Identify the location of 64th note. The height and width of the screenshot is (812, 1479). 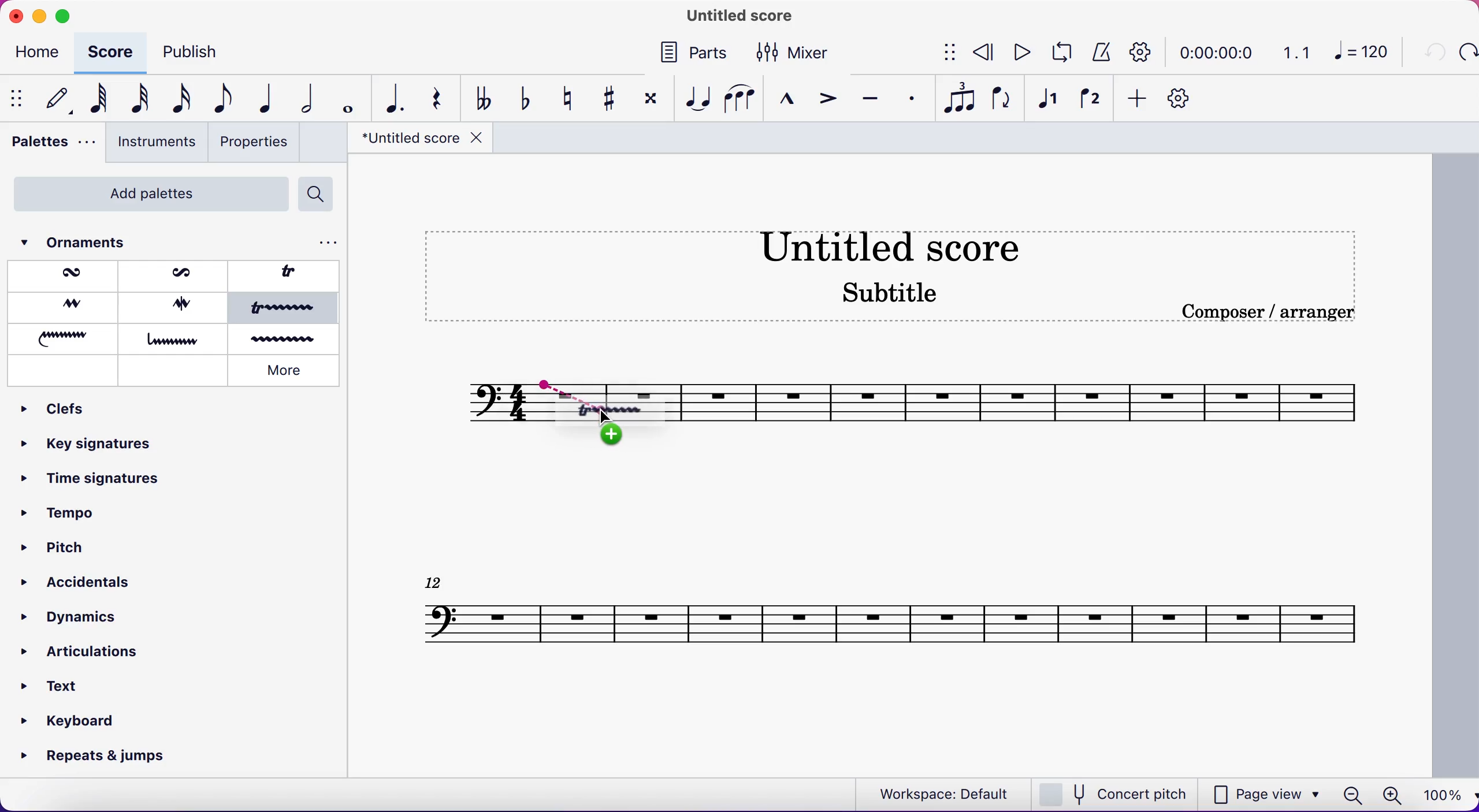
(94, 100).